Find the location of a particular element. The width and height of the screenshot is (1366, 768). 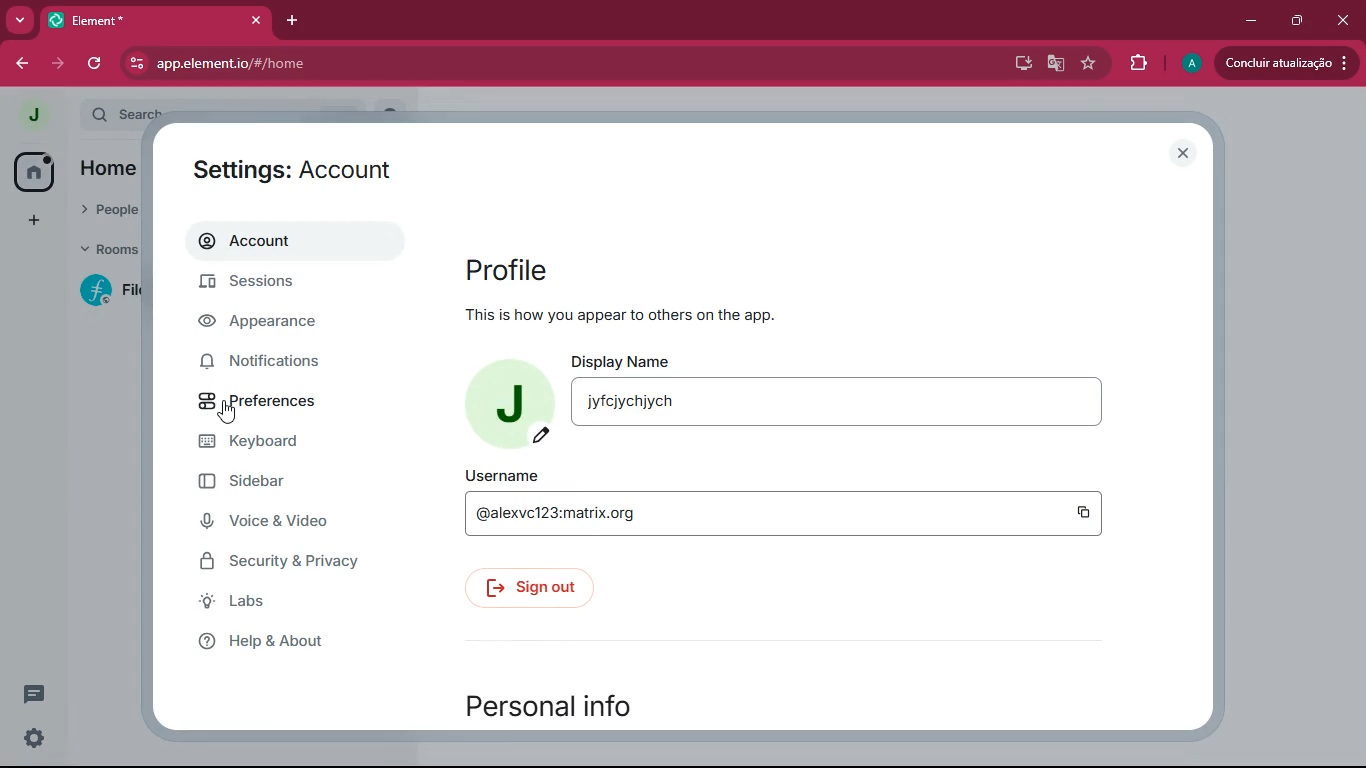

desktop is located at coordinates (1020, 62).